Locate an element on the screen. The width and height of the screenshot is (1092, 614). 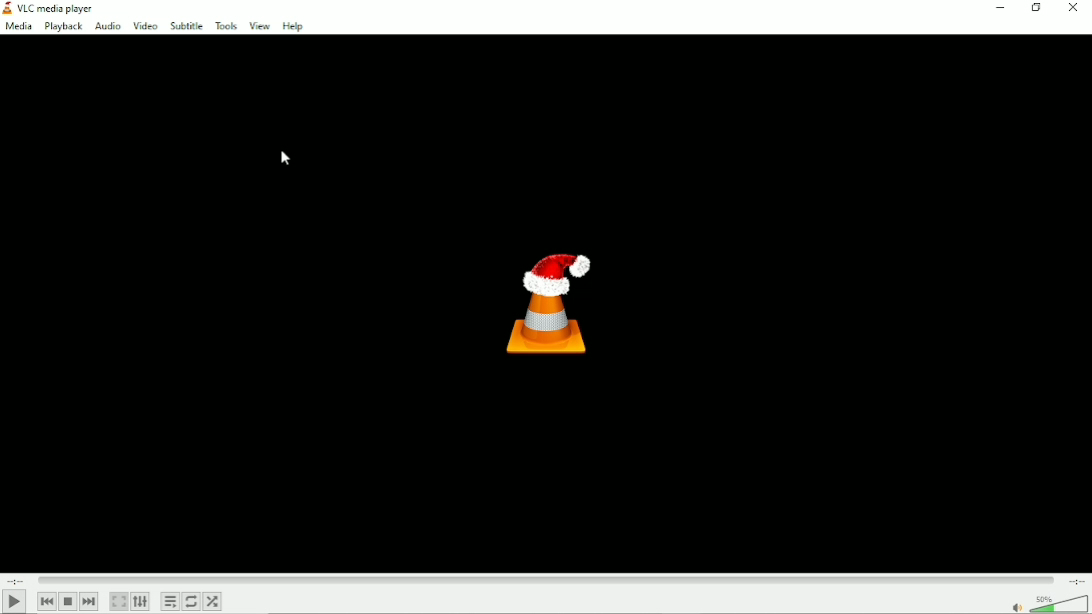
Next is located at coordinates (88, 601).